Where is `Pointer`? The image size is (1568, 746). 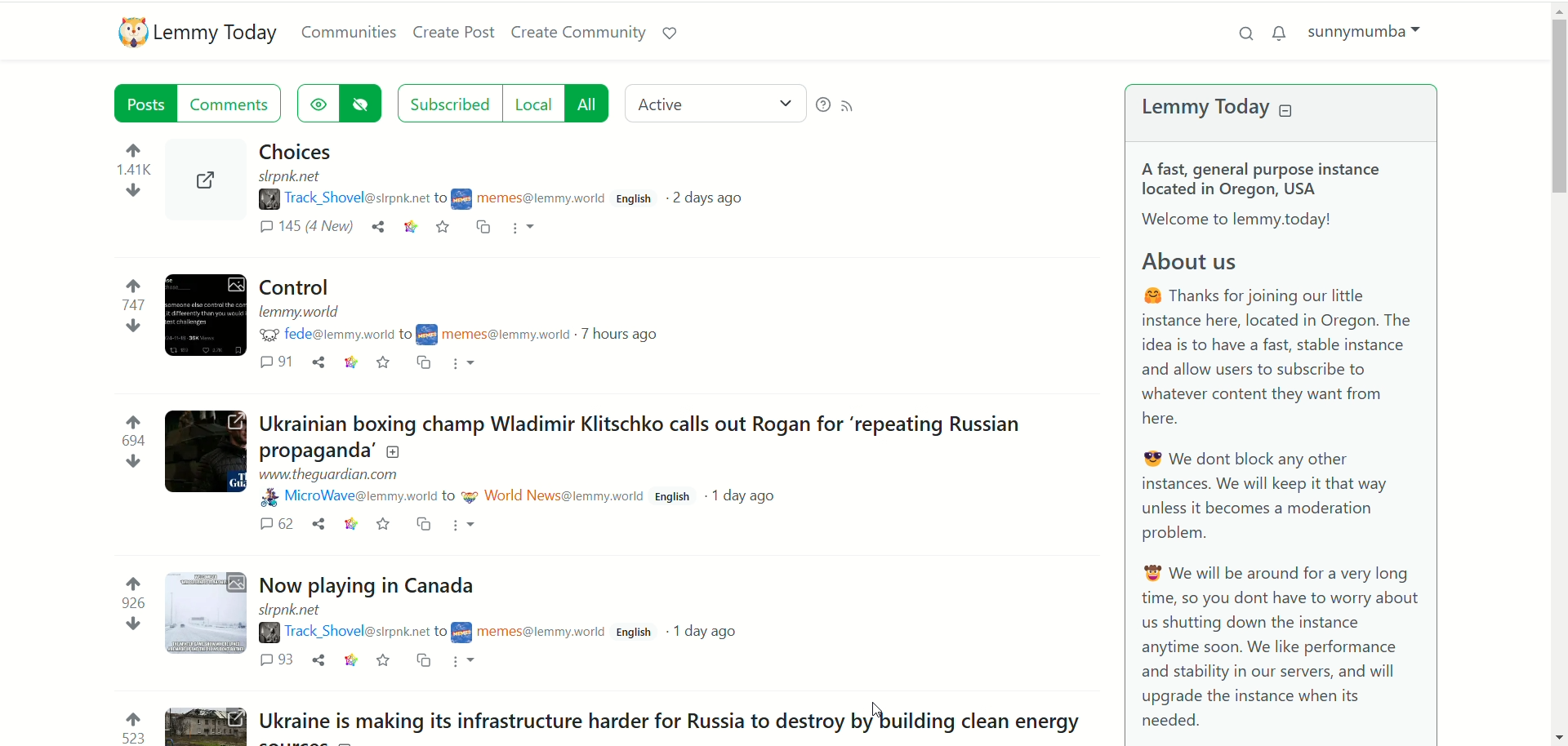
Pointer is located at coordinates (881, 707).